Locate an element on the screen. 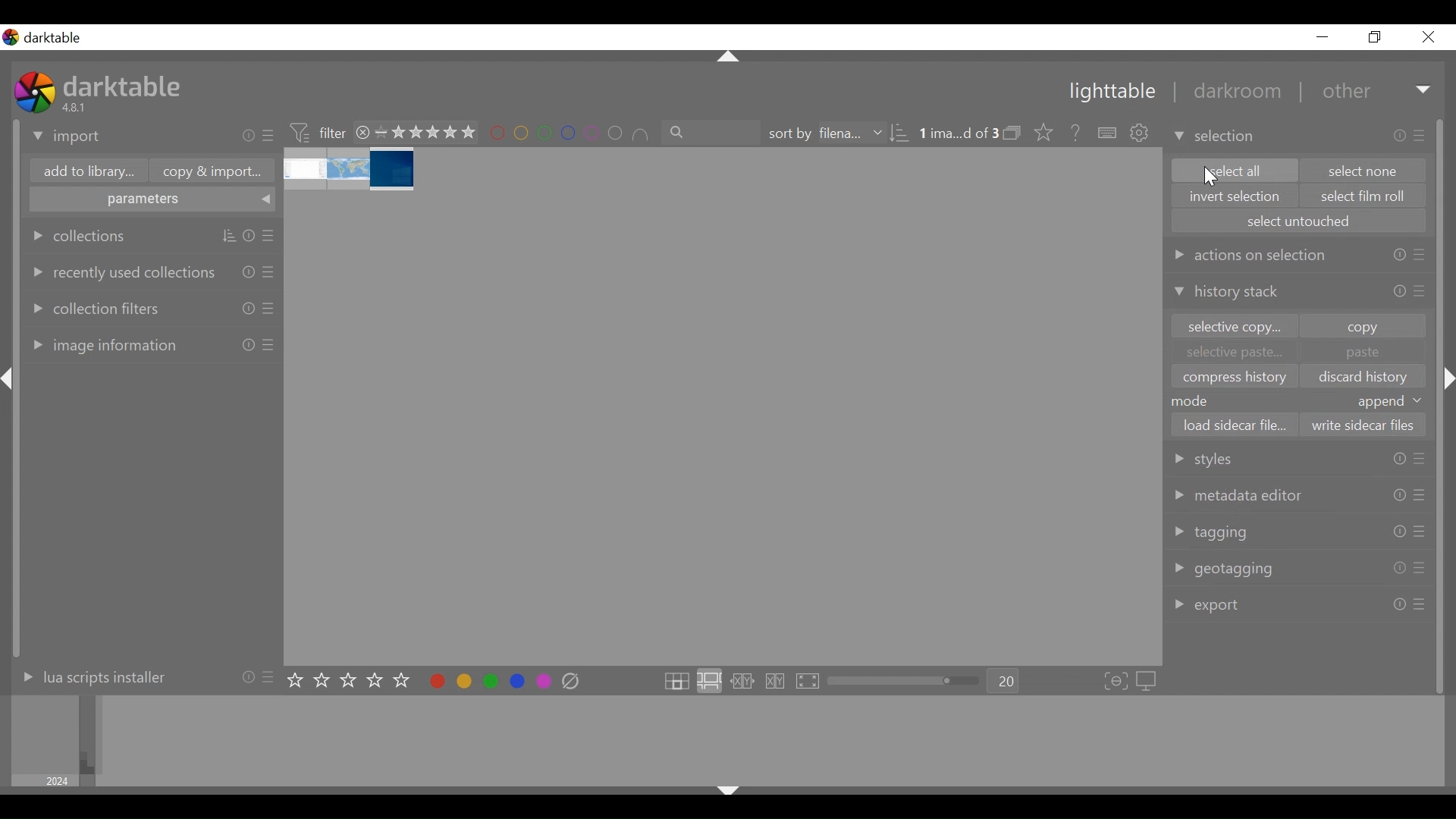 The image size is (1456, 819). set display profile is located at coordinates (1148, 681).